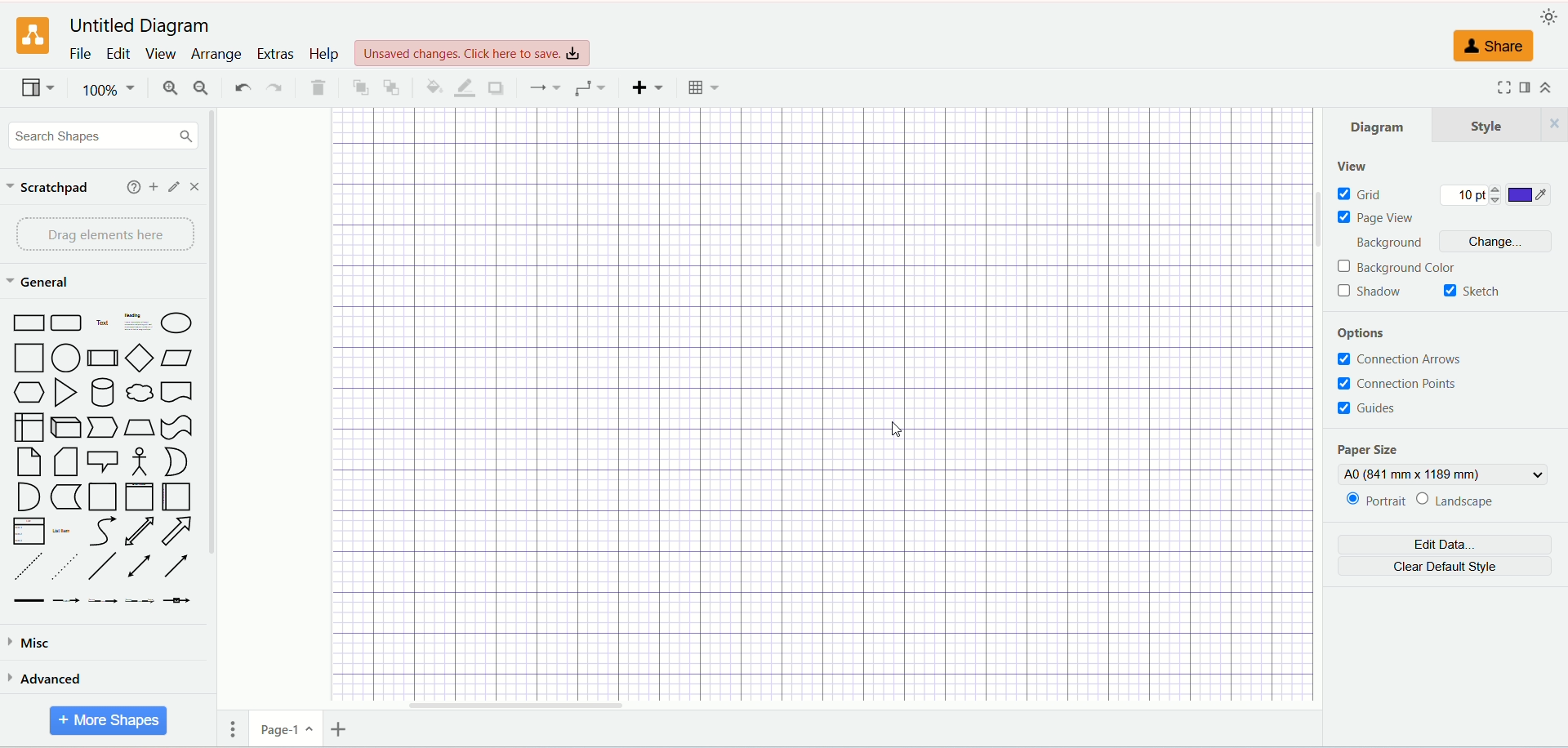 The height and width of the screenshot is (748, 1568). Describe the element at coordinates (1380, 218) in the screenshot. I see `page view` at that location.